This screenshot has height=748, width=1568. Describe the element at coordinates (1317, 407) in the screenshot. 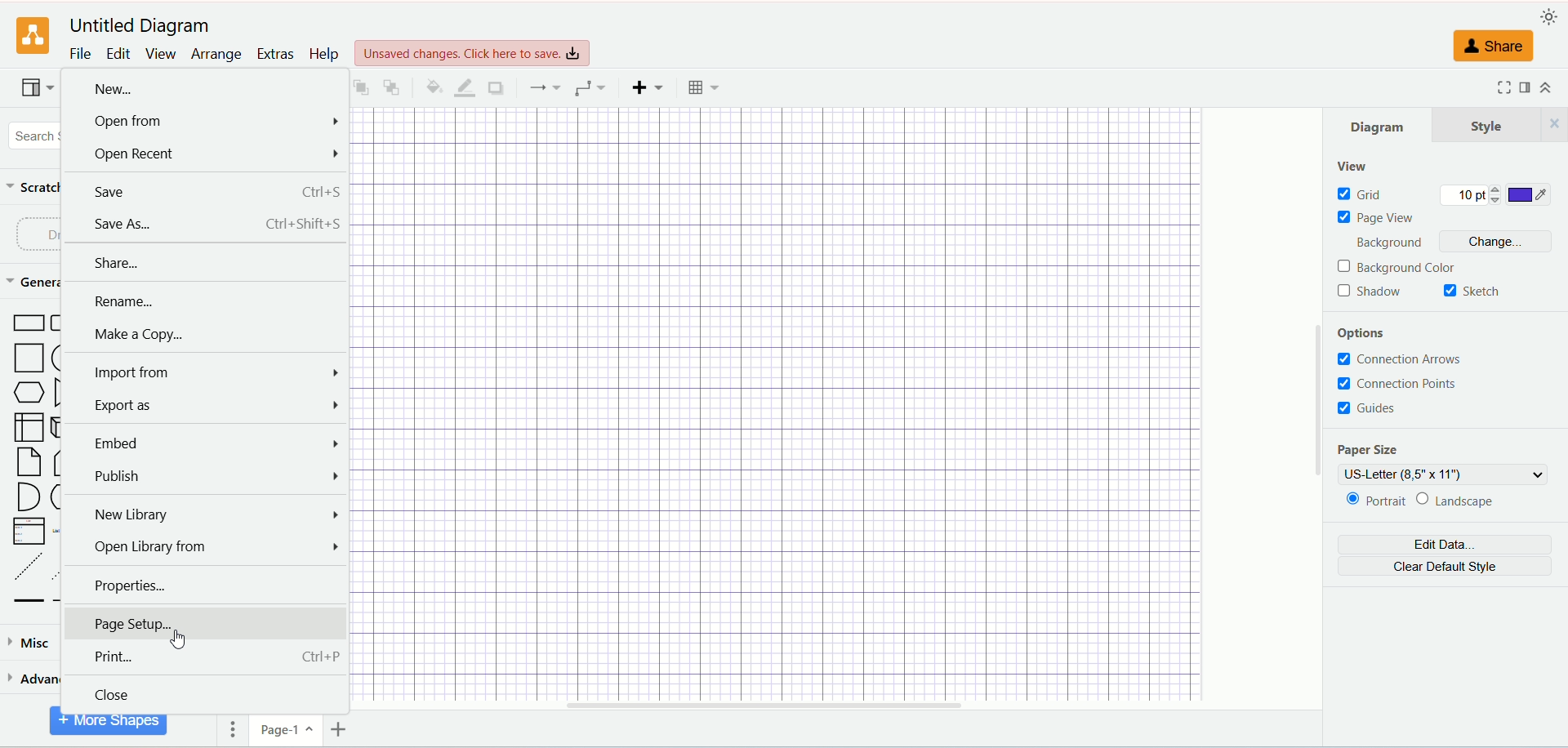

I see `vertical scroll bar` at that location.